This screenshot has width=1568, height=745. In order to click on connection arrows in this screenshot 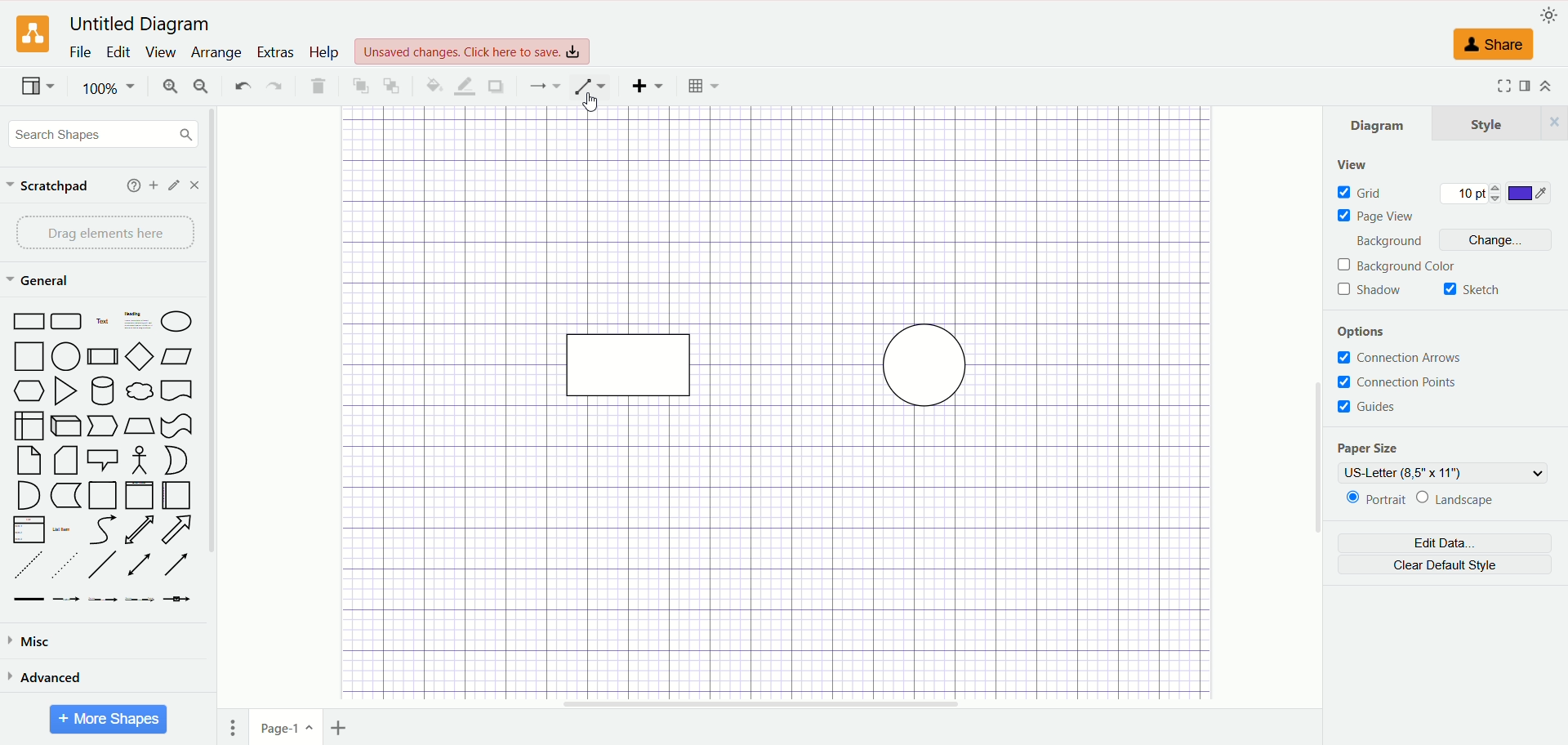, I will do `click(1399, 358)`.